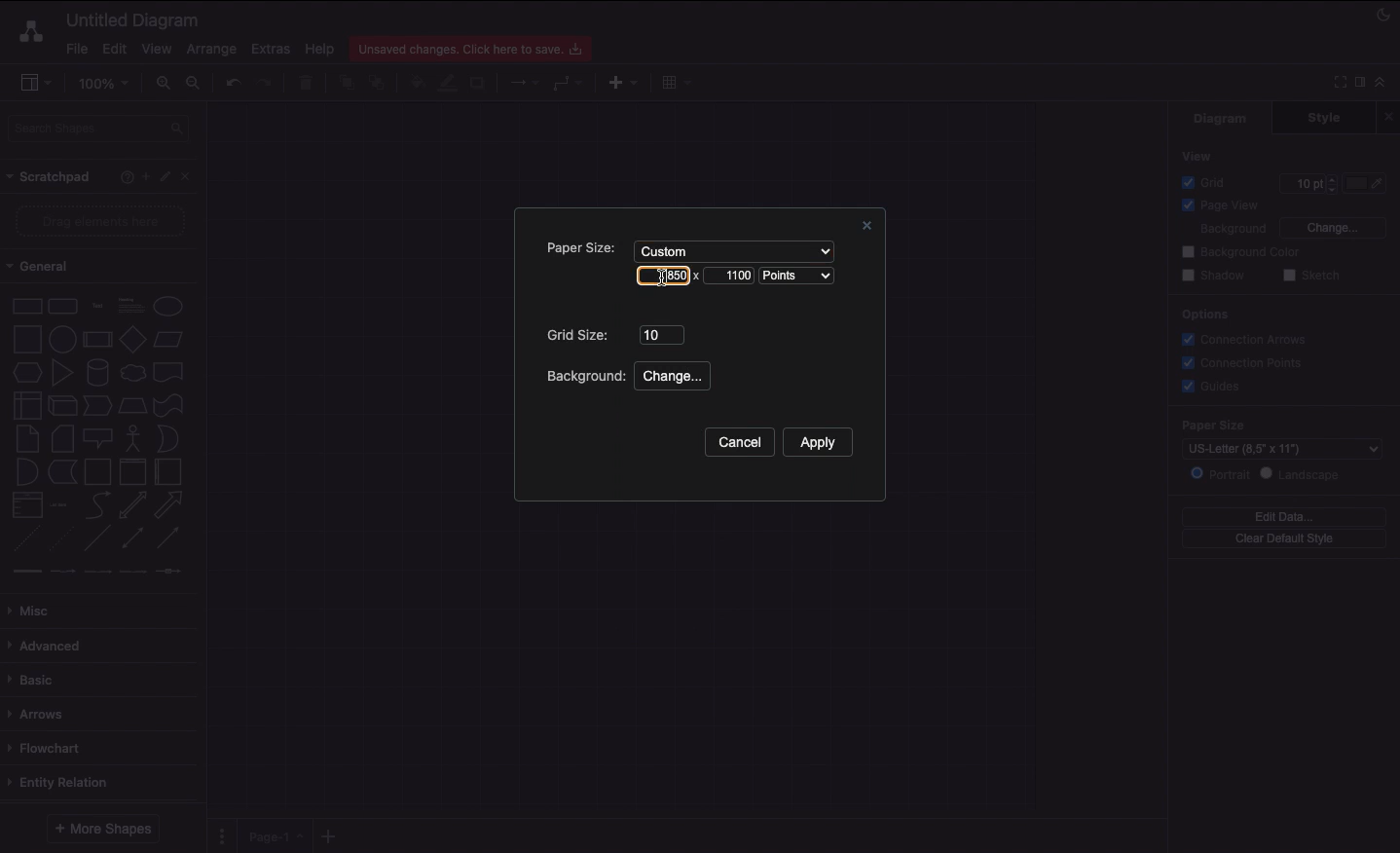 The width and height of the screenshot is (1400, 853). Describe the element at coordinates (132, 340) in the screenshot. I see `Diamond` at that location.